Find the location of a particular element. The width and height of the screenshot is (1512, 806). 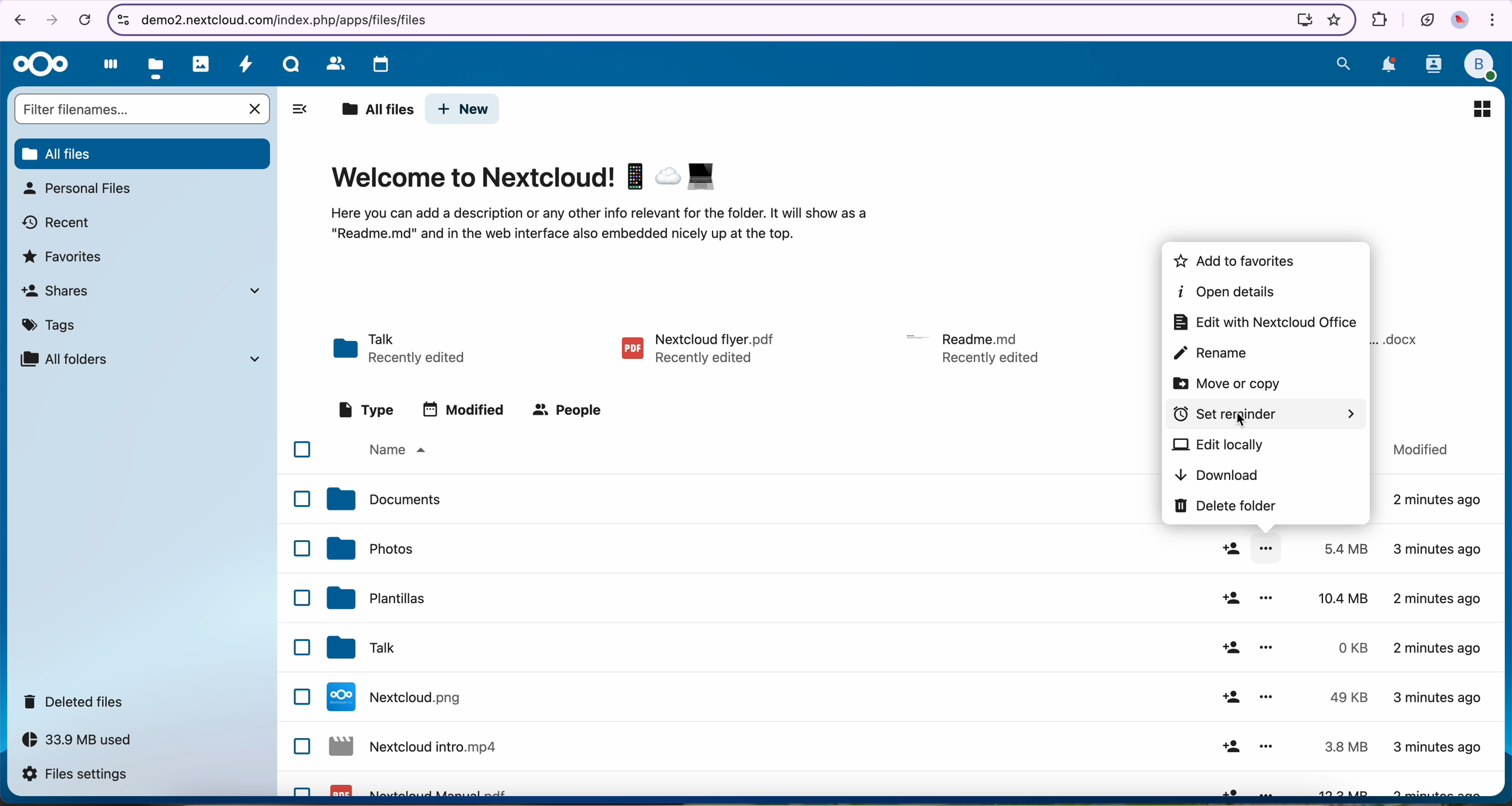

new button is located at coordinates (465, 109).